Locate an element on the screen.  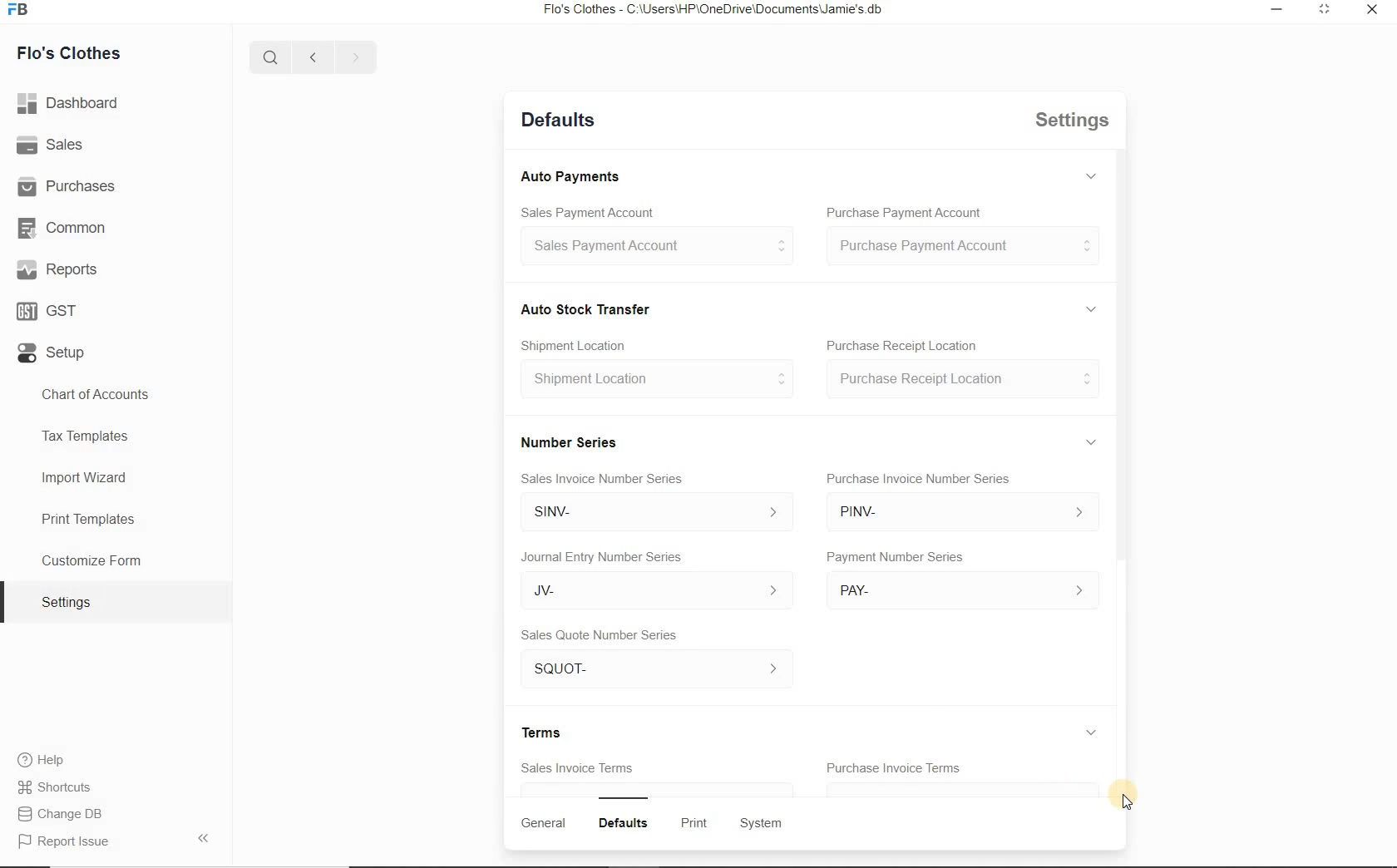
Print is located at coordinates (690, 821).